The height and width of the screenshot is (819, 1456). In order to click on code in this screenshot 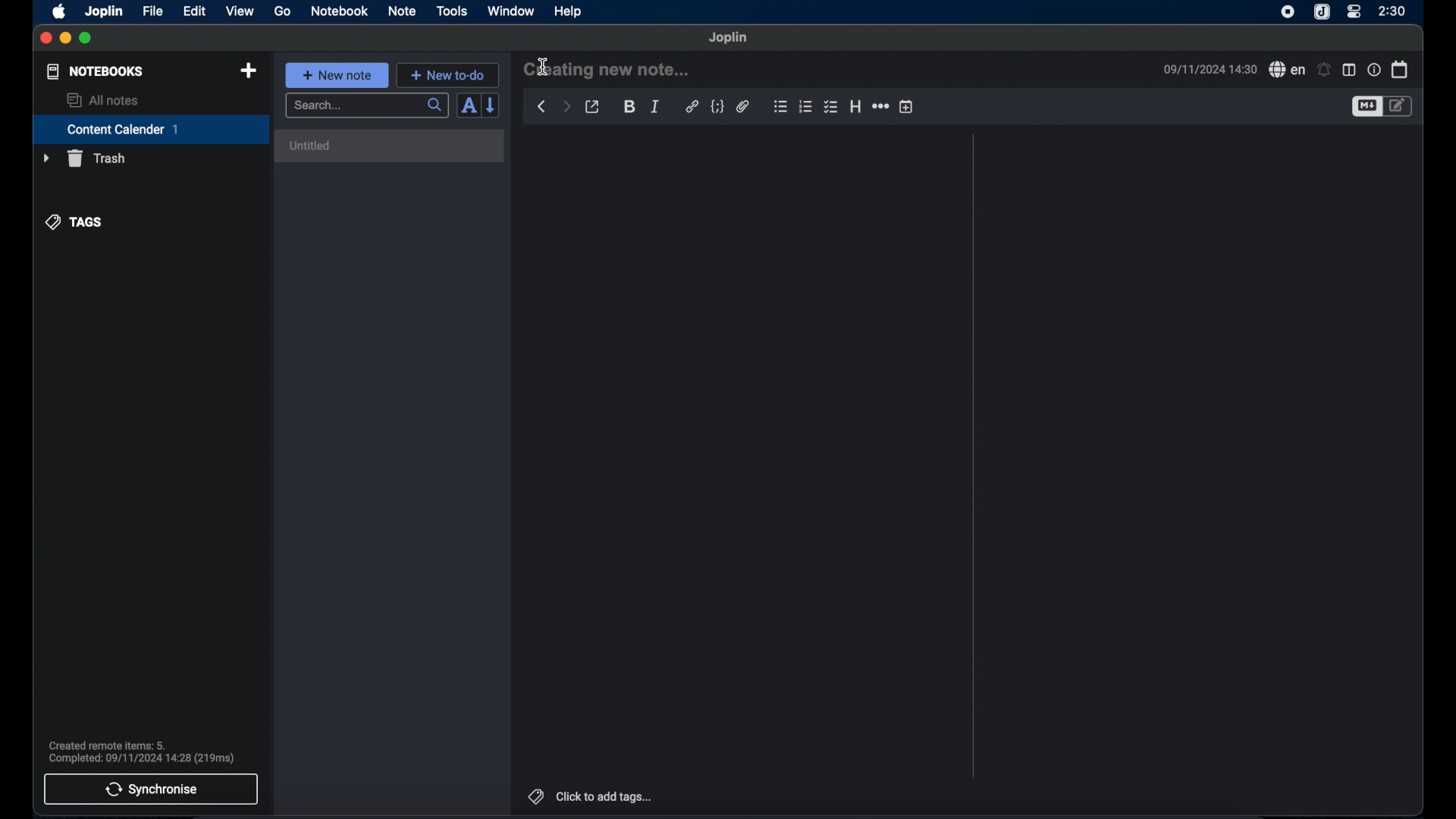, I will do `click(717, 107)`.